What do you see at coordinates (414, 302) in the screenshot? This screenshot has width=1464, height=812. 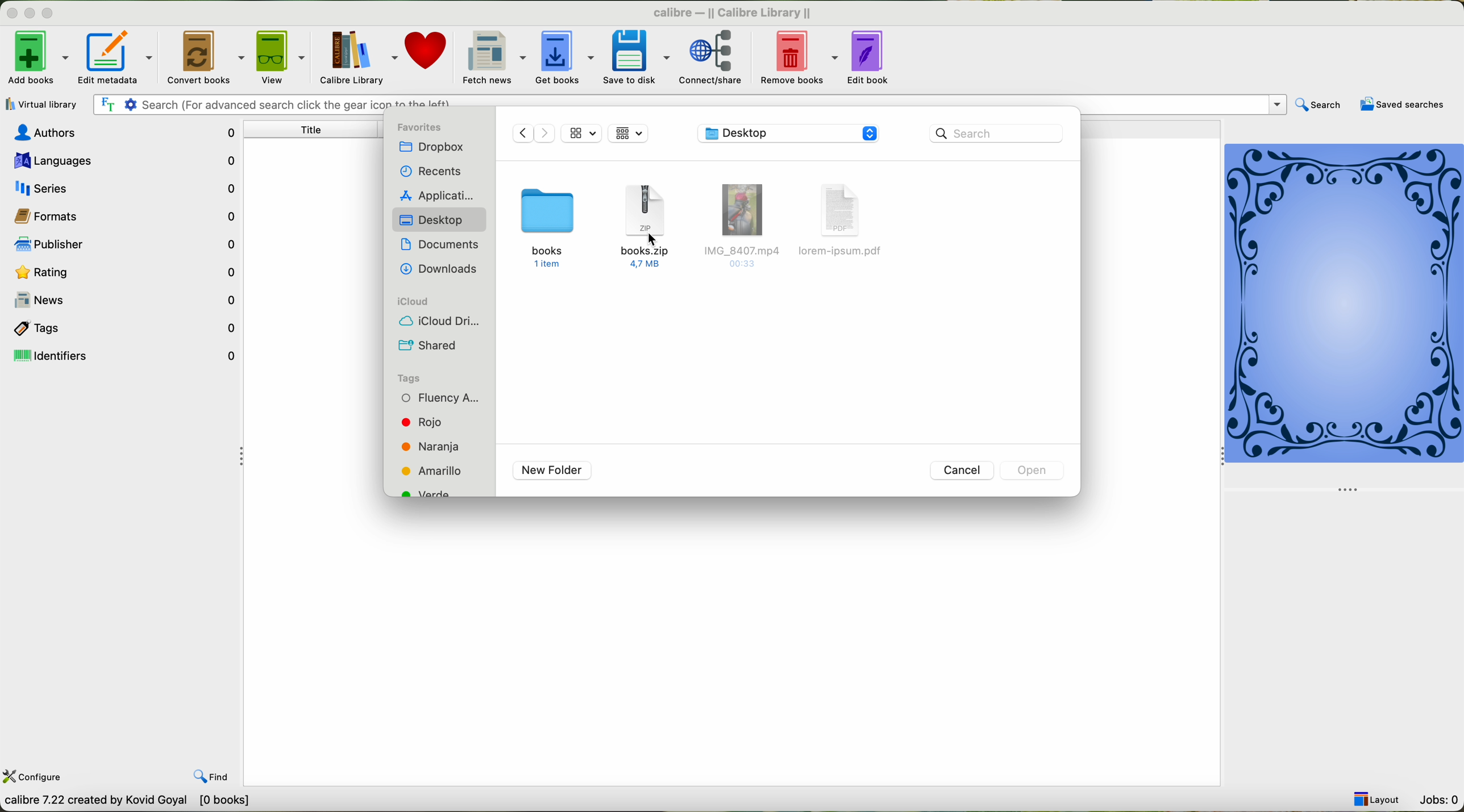 I see `icloud` at bounding box center [414, 302].